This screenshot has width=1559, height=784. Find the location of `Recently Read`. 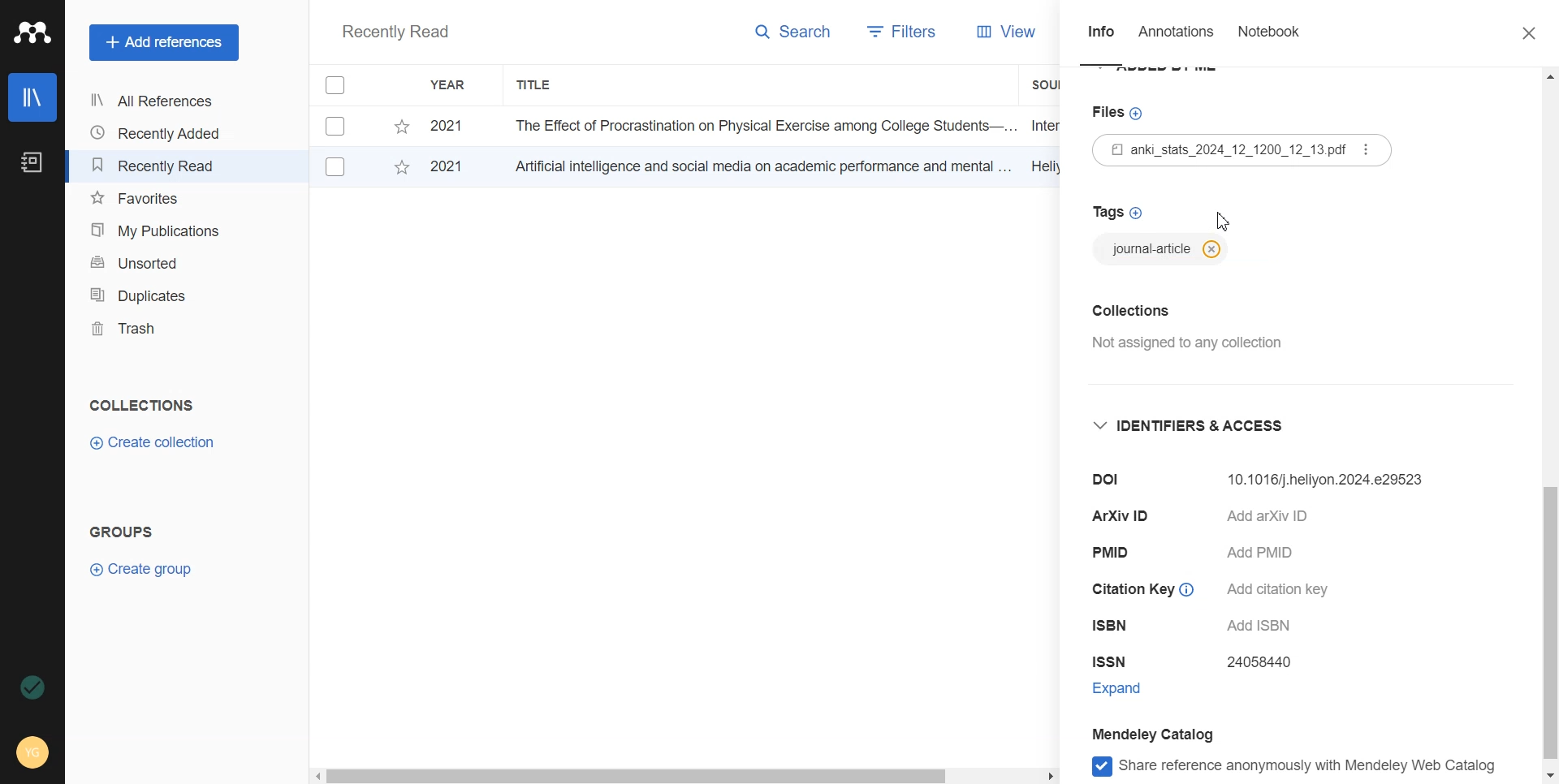

Recently Read is located at coordinates (395, 33).